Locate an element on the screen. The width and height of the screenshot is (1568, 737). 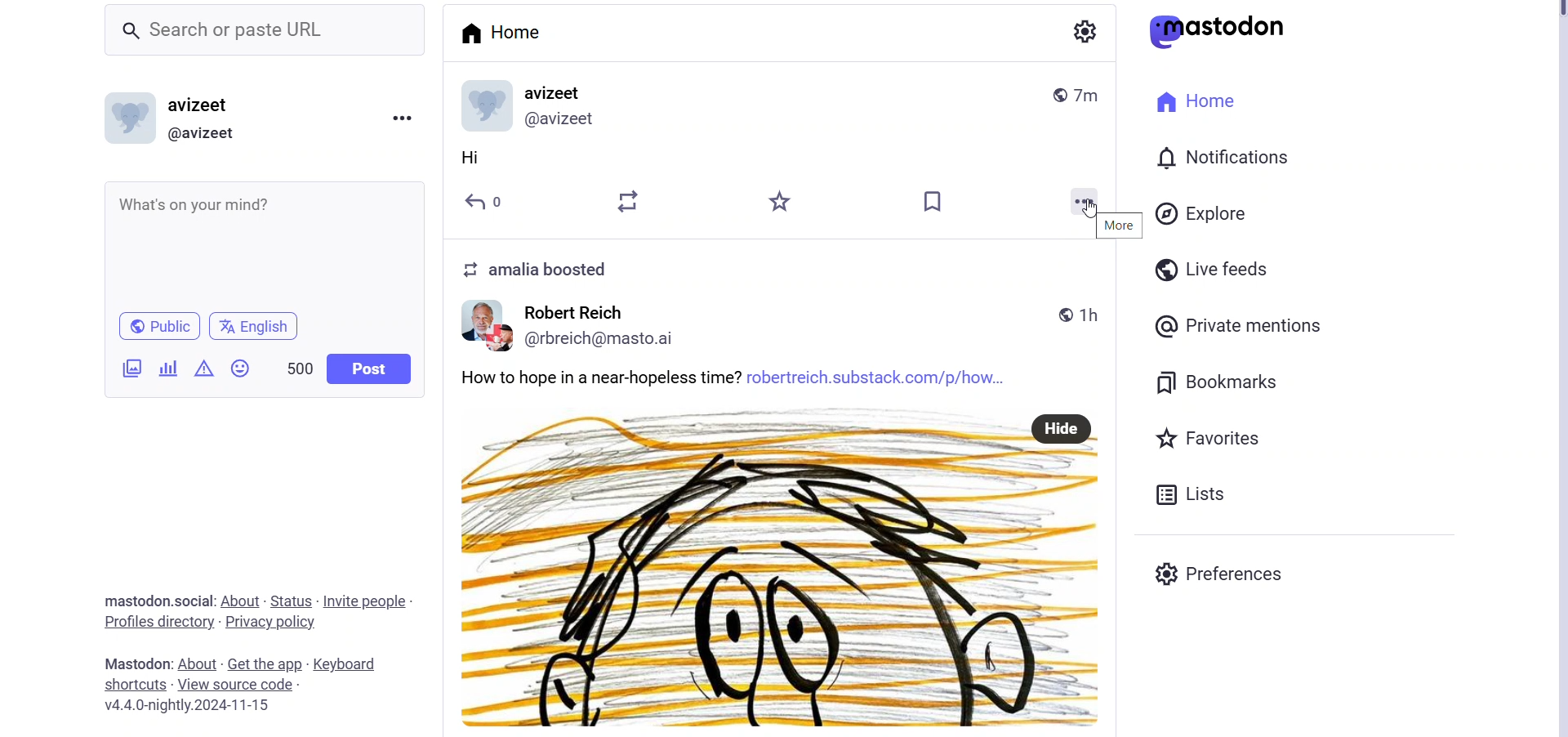
Search bar is located at coordinates (270, 35).